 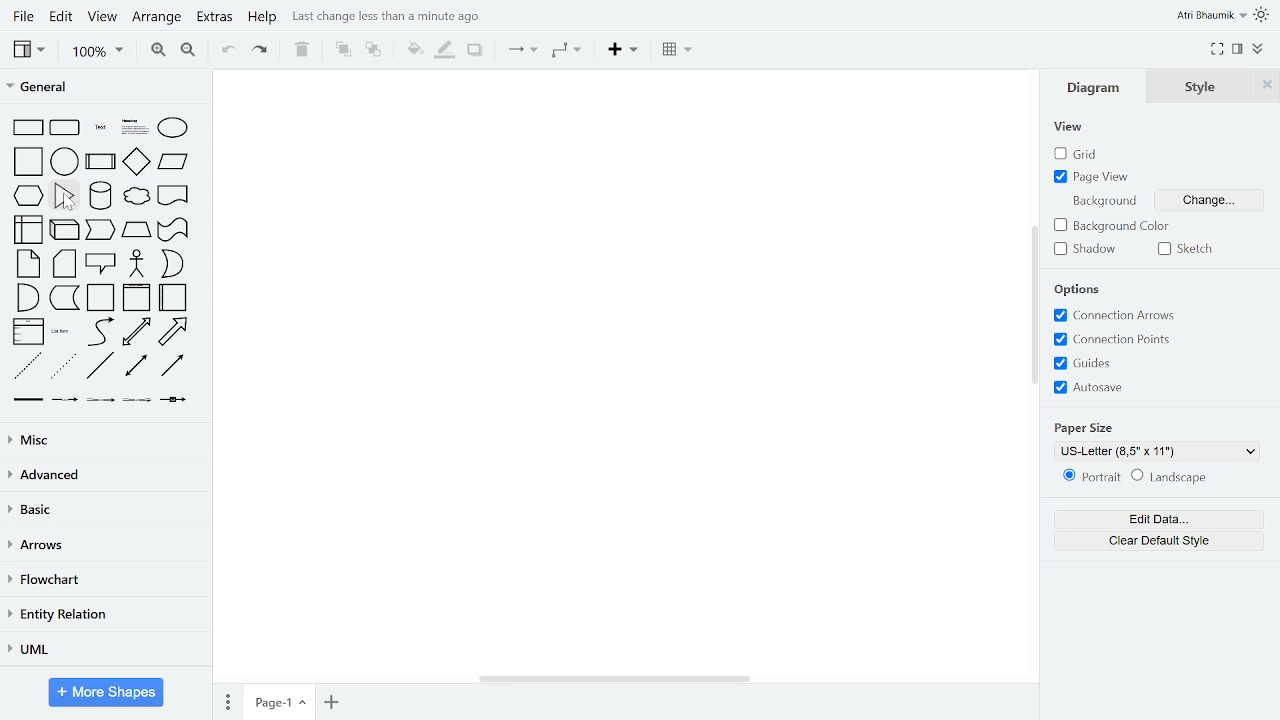 What do you see at coordinates (1209, 15) in the screenshot?
I see `profile Atri Bhaumik` at bounding box center [1209, 15].